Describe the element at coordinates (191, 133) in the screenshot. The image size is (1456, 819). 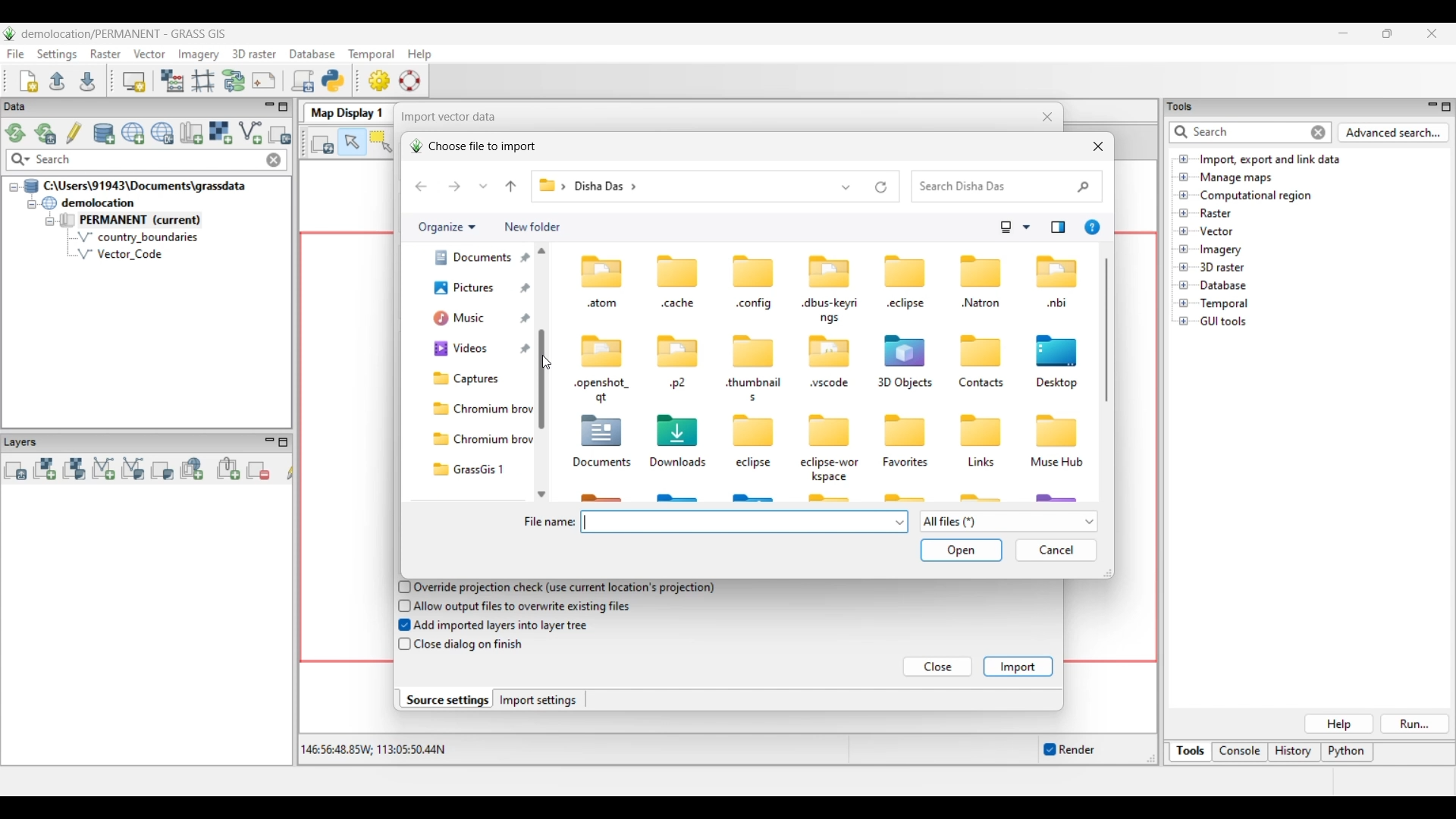
I see `Create new map set in current project` at that location.